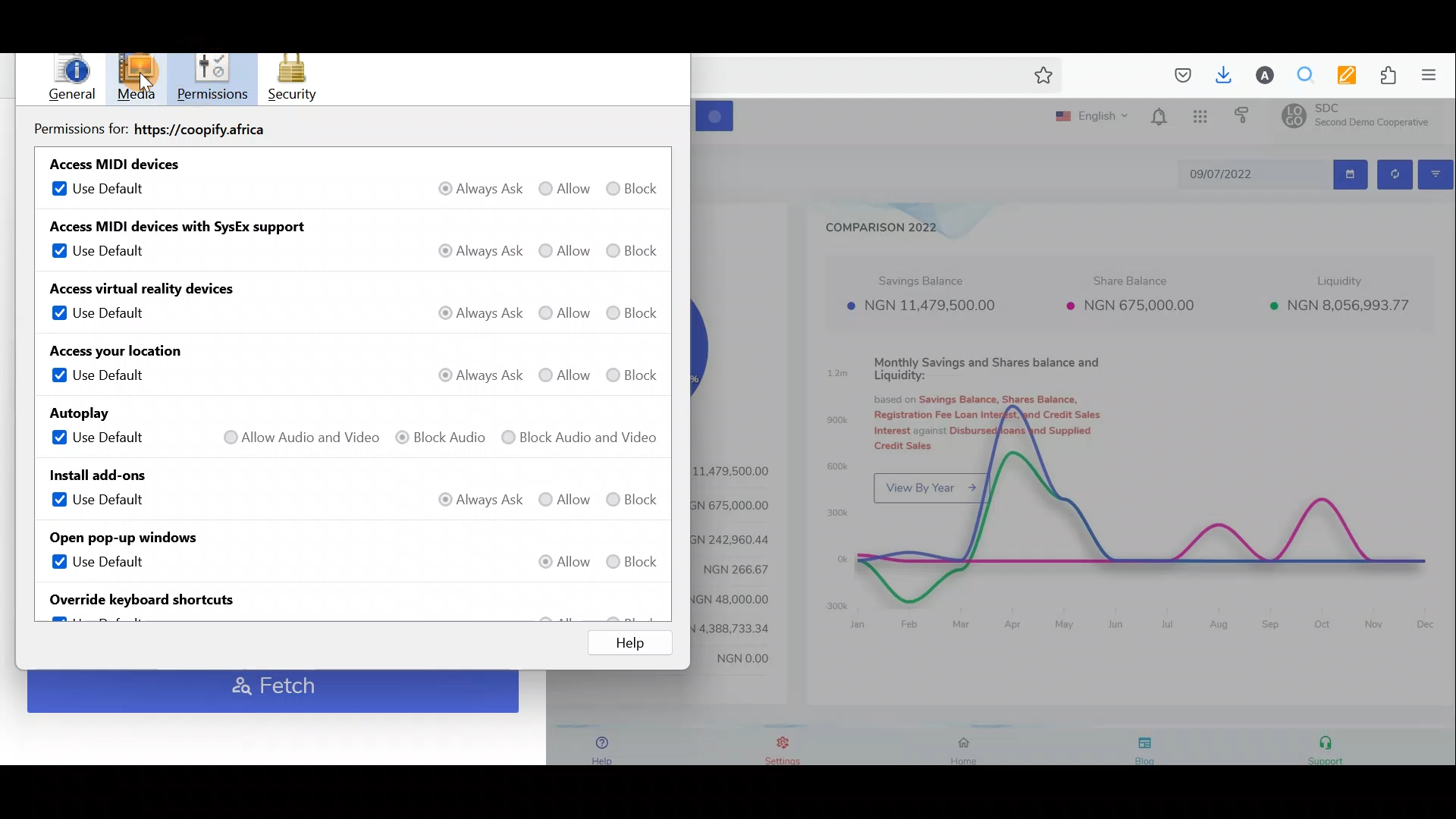 This screenshot has height=819, width=1456. What do you see at coordinates (108, 476) in the screenshot?
I see `Install add-ons` at bounding box center [108, 476].